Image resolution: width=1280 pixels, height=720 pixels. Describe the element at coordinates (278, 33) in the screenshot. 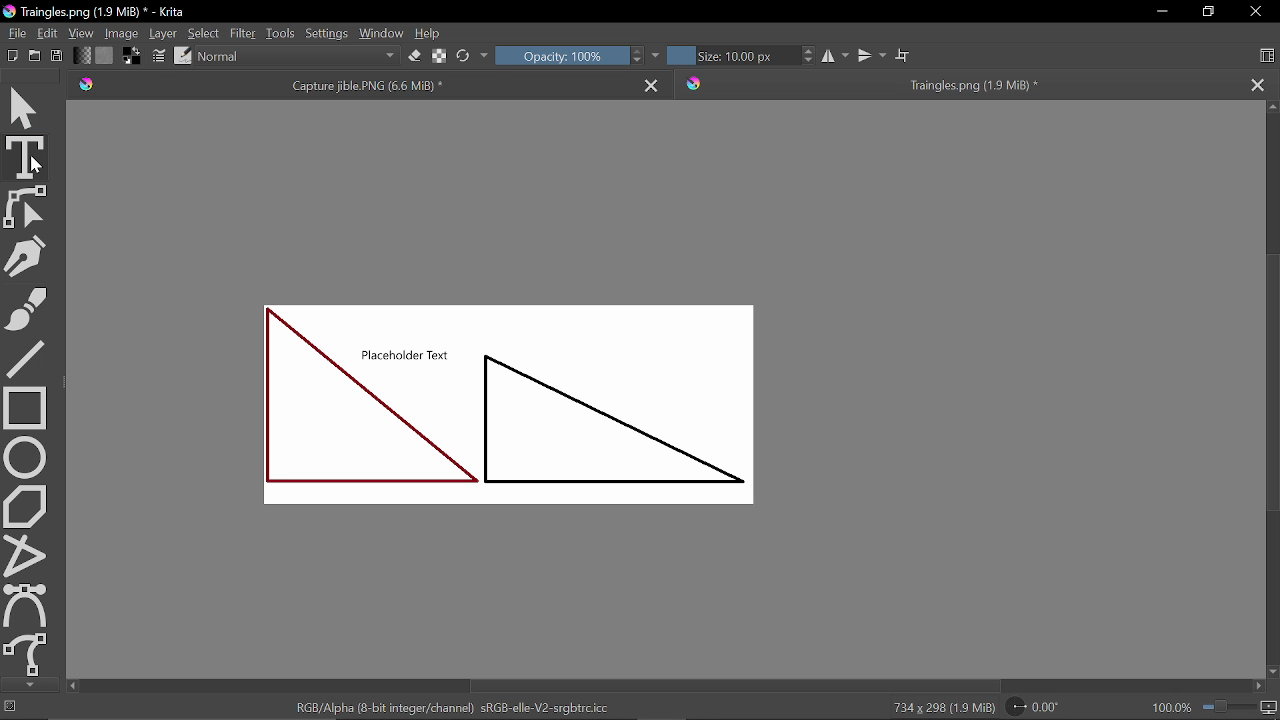

I see `tools` at that location.